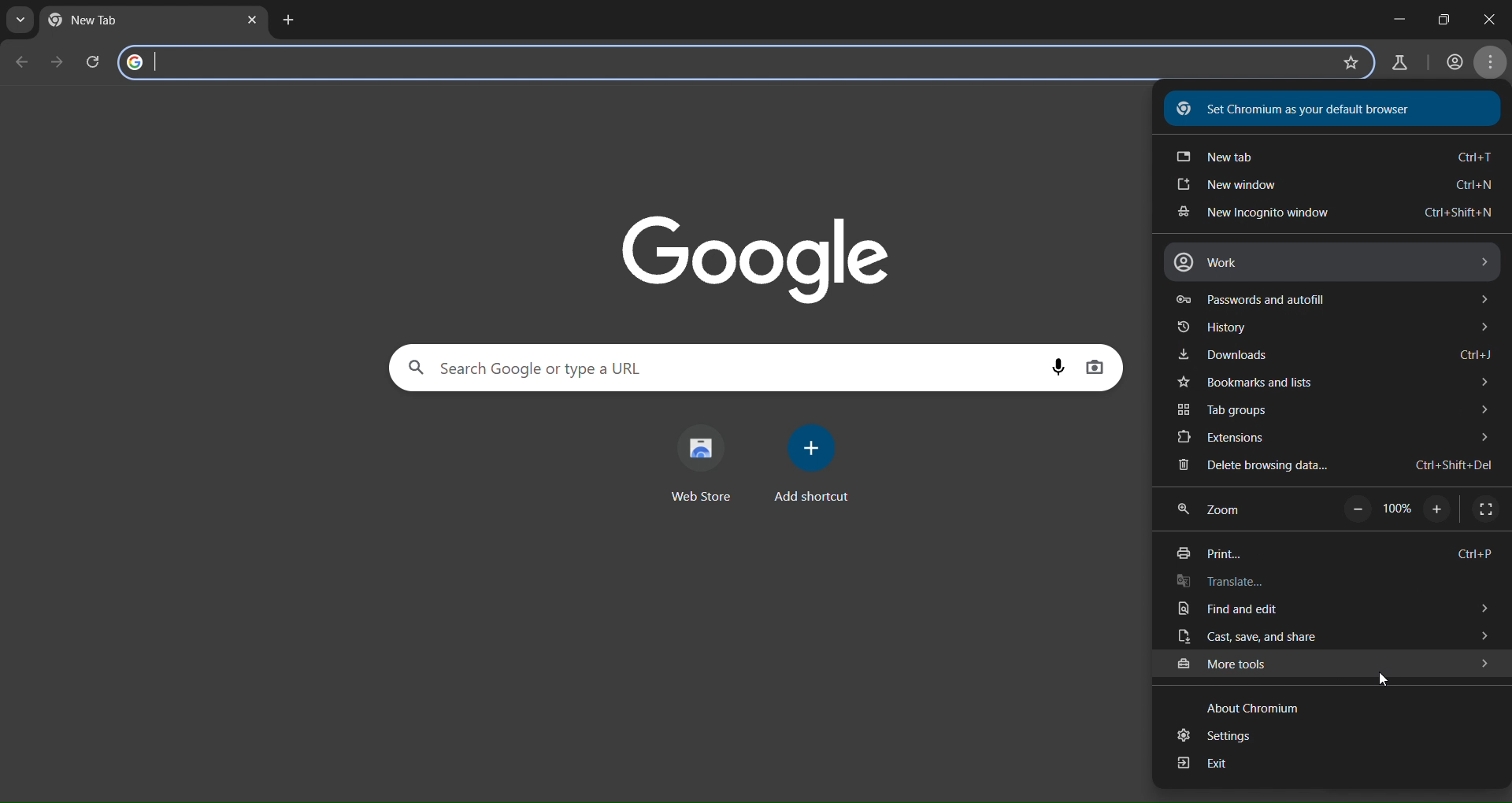 The image size is (1512, 803). I want to click on voice search, so click(1060, 366).